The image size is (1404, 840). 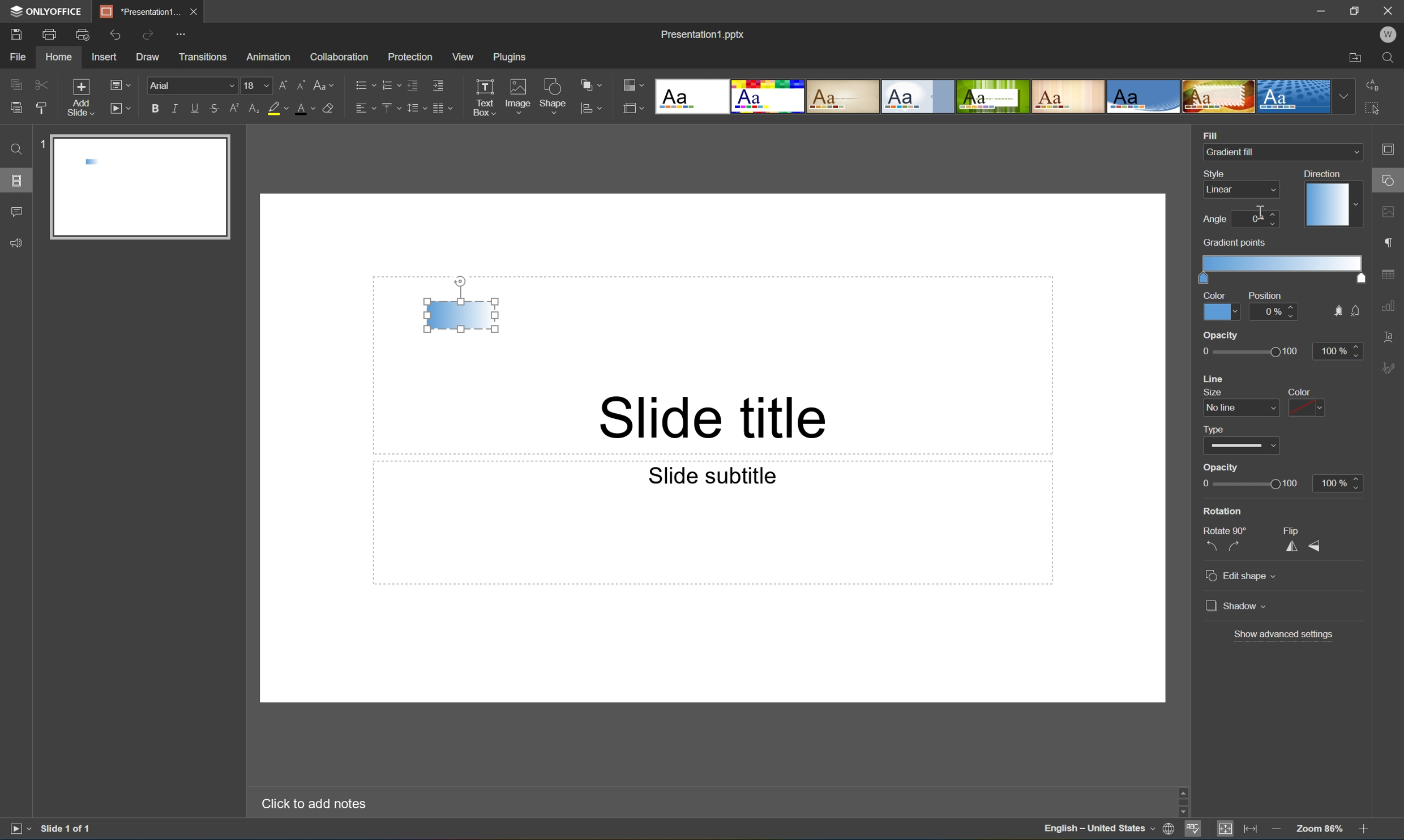 What do you see at coordinates (41, 108) in the screenshot?
I see `Copy style` at bounding box center [41, 108].